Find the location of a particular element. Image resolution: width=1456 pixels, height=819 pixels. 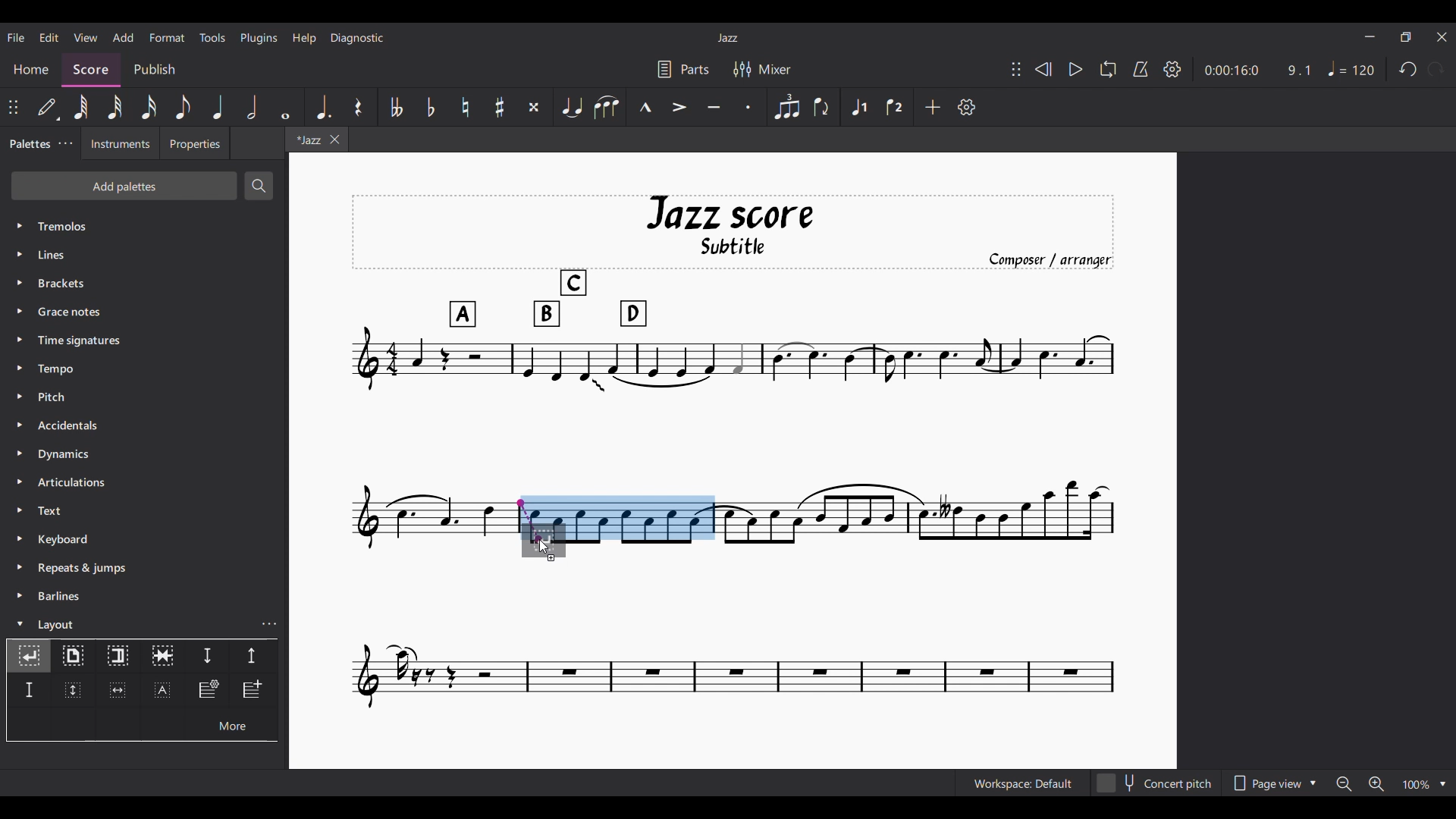

Accidentals is located at coordinates (144, 425).